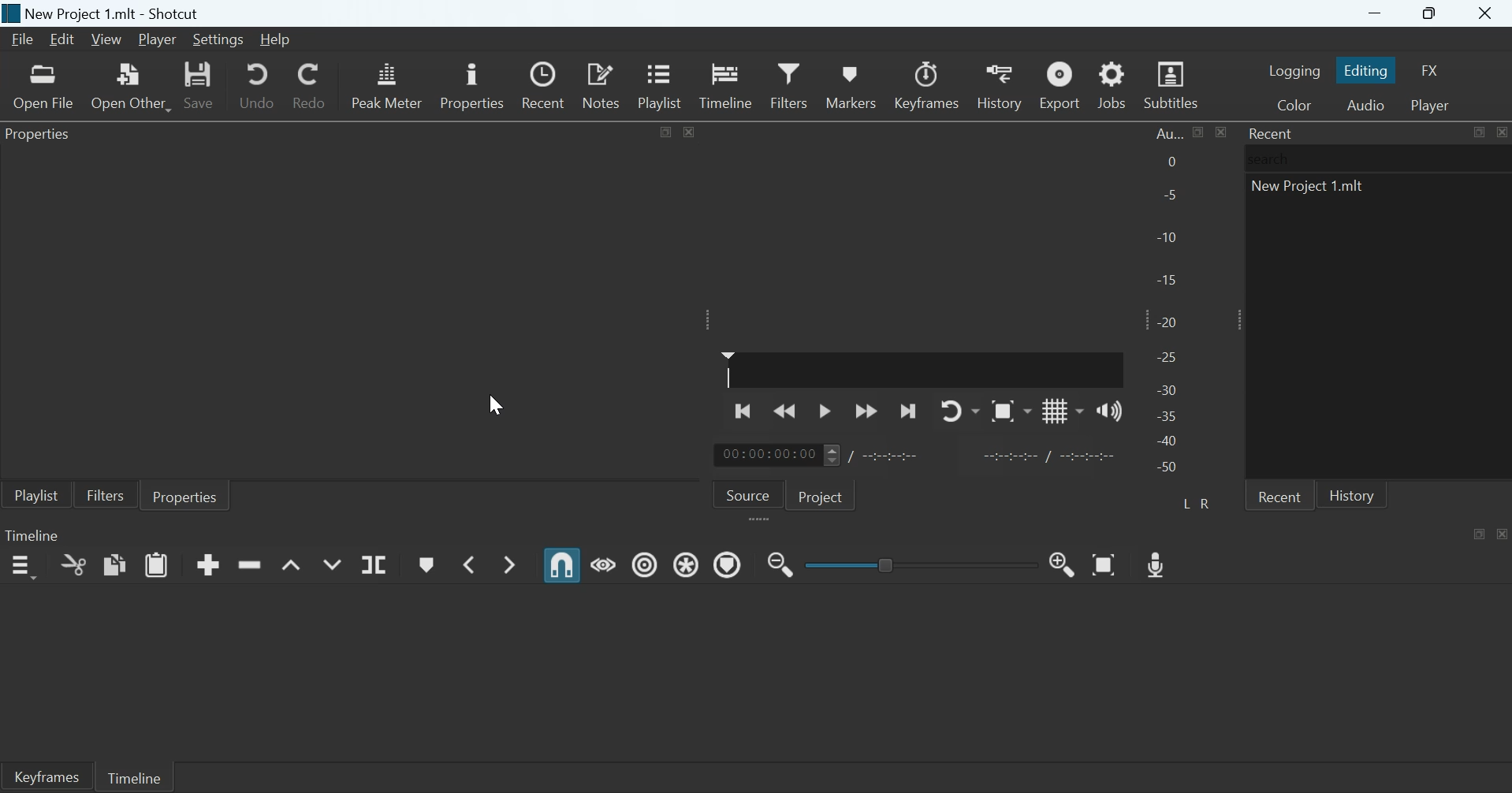 This screenshot has width=1512, height=793. Describe the element at coordinates (32, 534) in the screenshot. I see `Timeline` at that location.